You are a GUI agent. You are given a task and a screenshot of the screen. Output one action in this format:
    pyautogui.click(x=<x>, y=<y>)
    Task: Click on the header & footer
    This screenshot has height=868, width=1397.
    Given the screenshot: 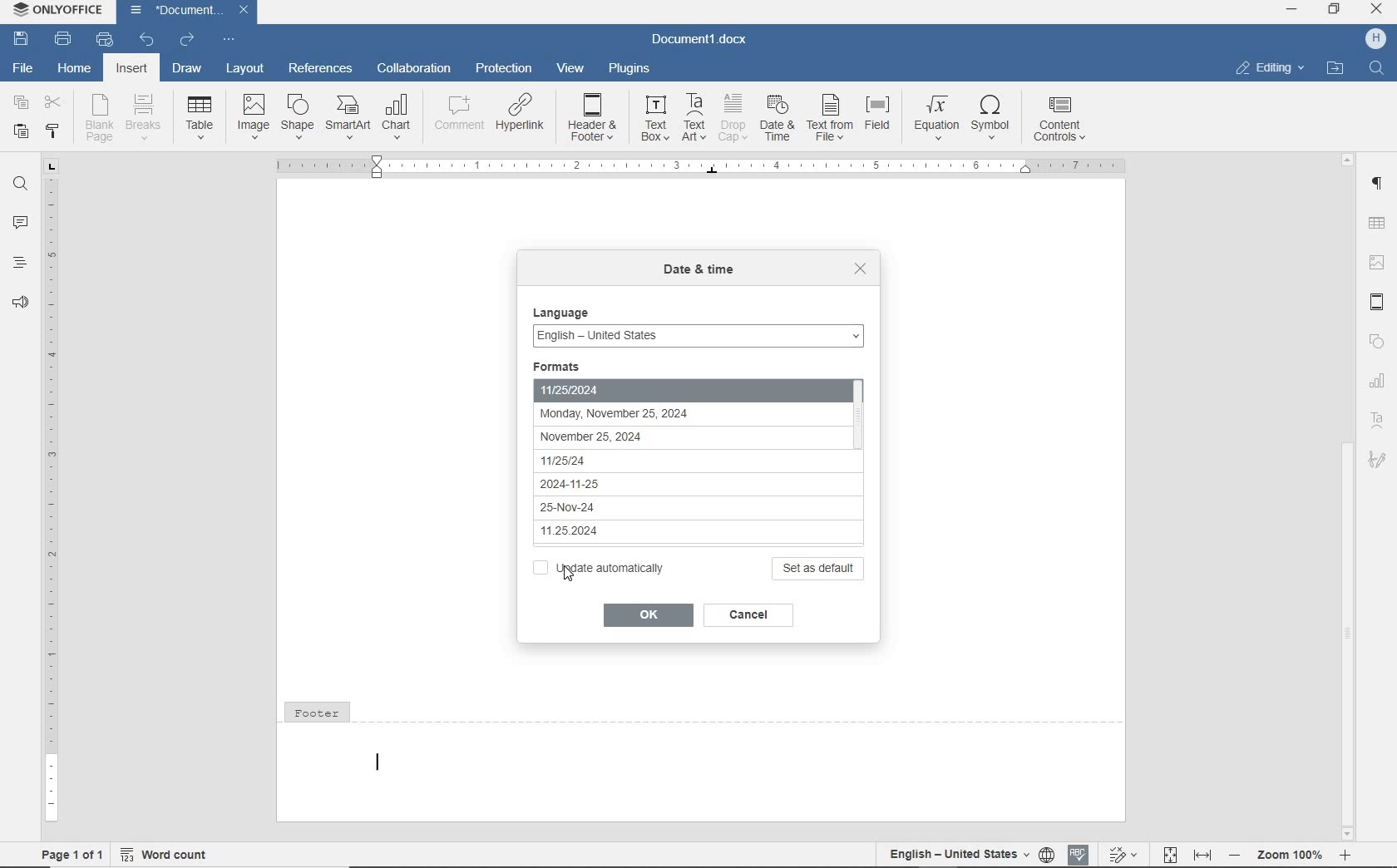 What is the action you would take?
    pyautogui.click(x=594, y=118)
    